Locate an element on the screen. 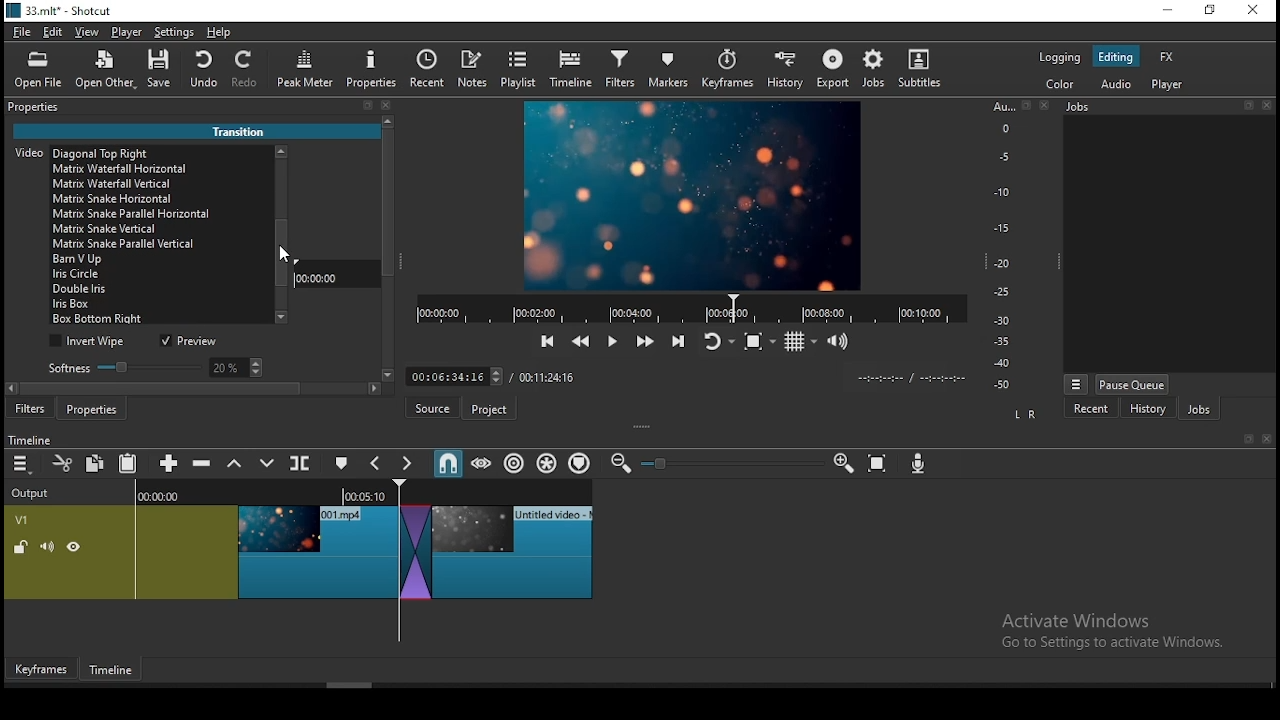 This screenshot has height=720, width=1280. video track is located at coordinates (298, 547).